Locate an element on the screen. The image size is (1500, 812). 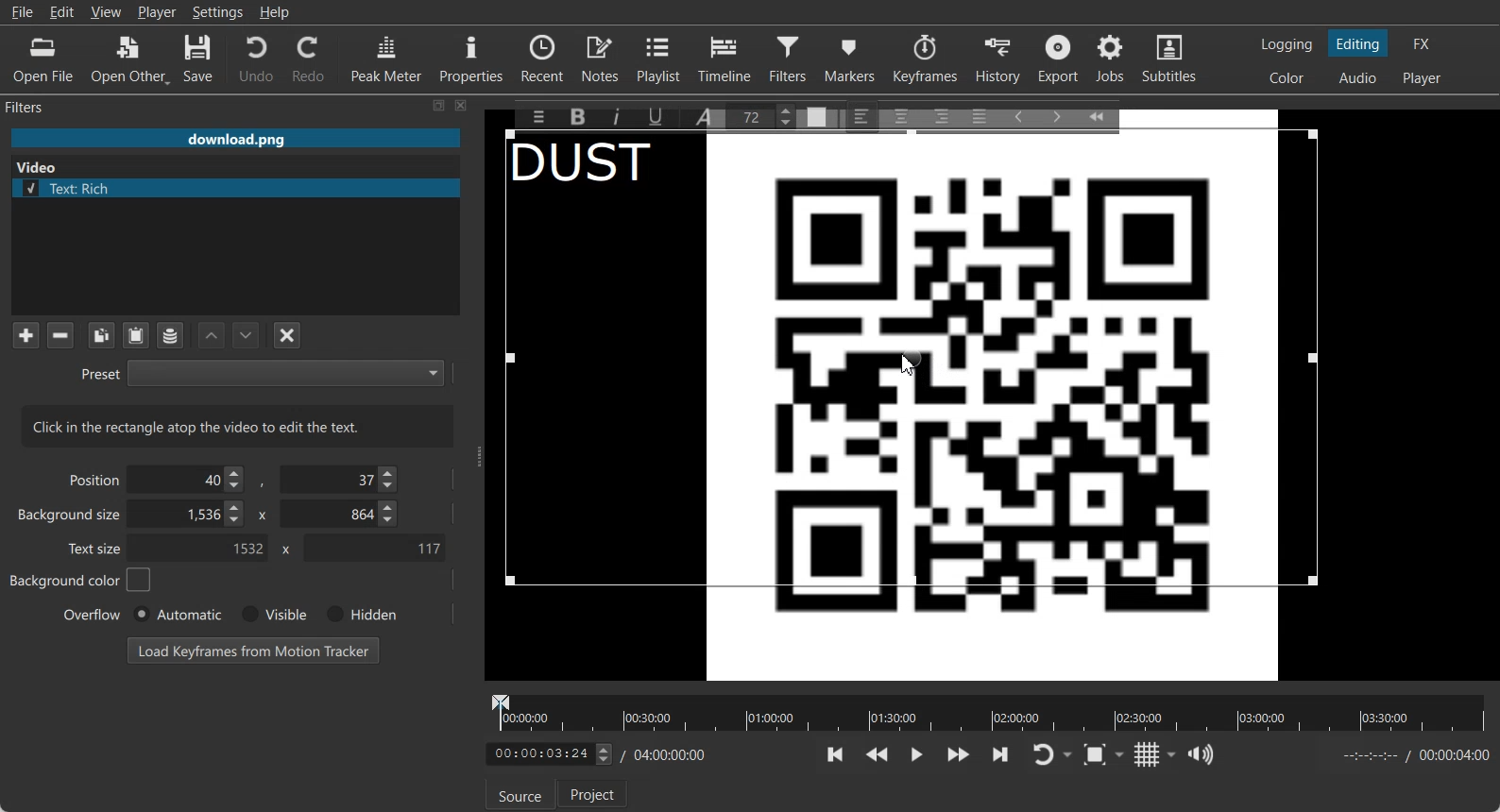
Menu is located at coordinates (534, 116).